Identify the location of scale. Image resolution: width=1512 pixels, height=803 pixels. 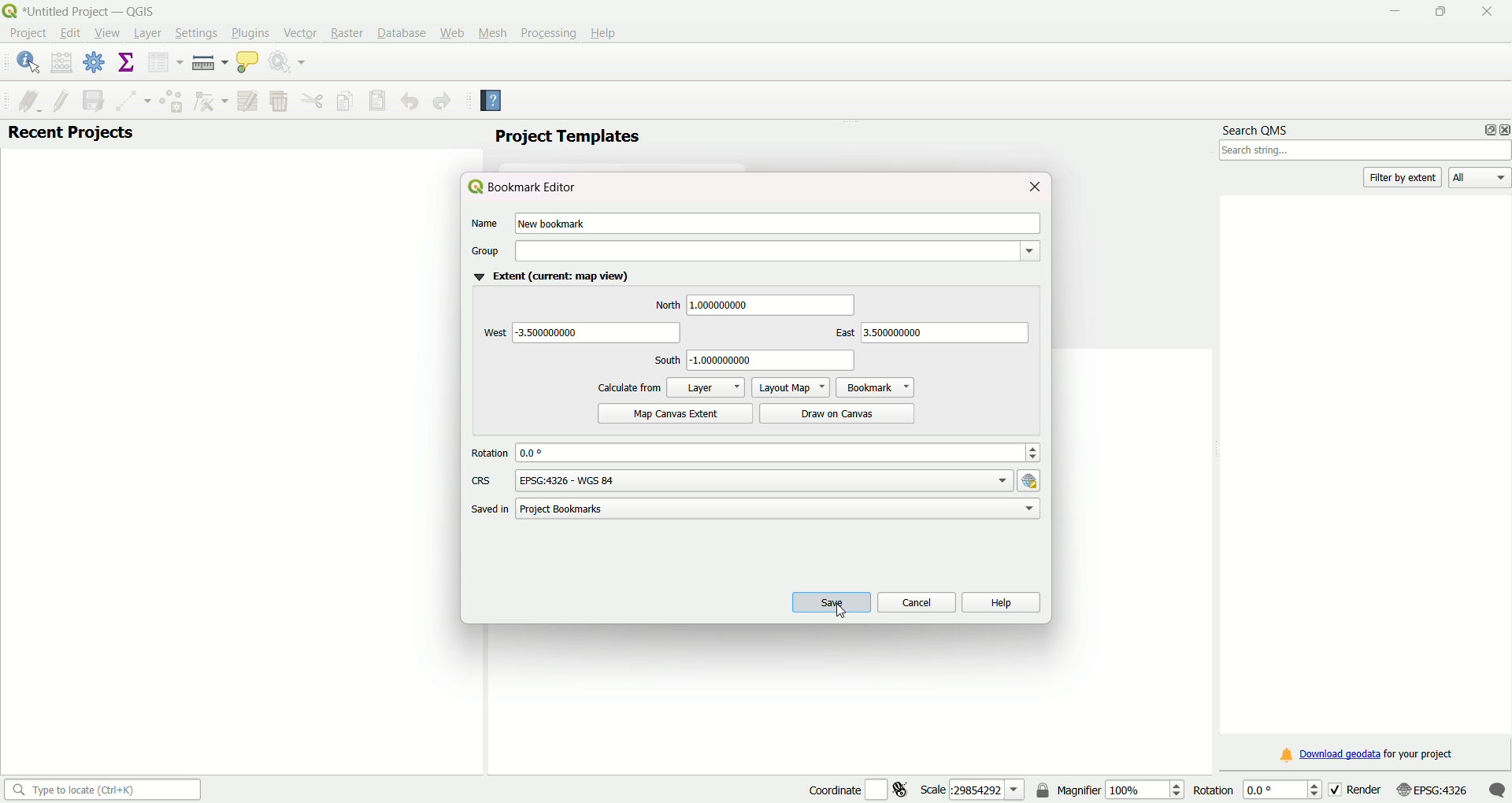
(973, 789).